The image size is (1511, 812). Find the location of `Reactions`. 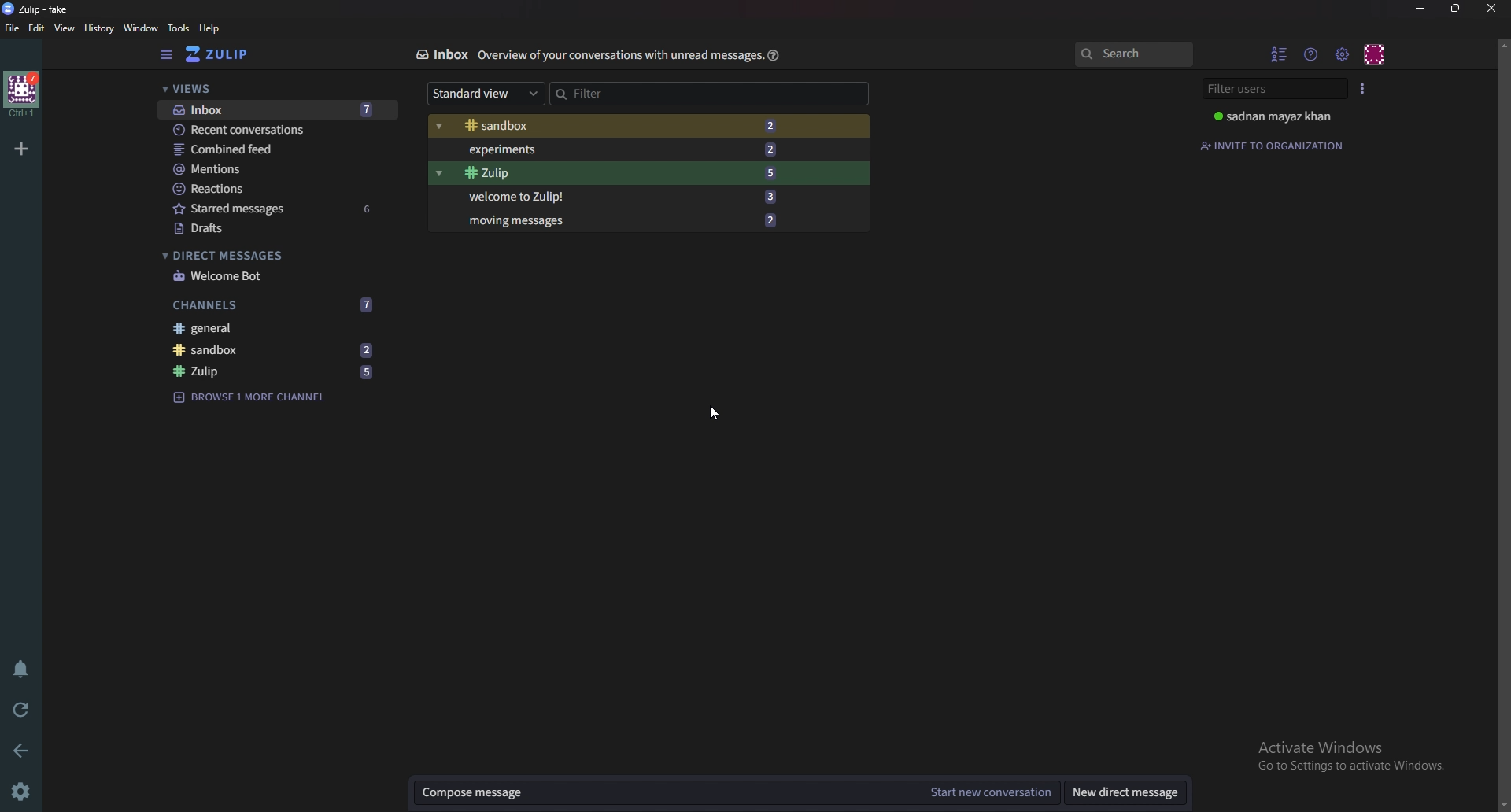

Reactions is located at coordinates (273, 187).